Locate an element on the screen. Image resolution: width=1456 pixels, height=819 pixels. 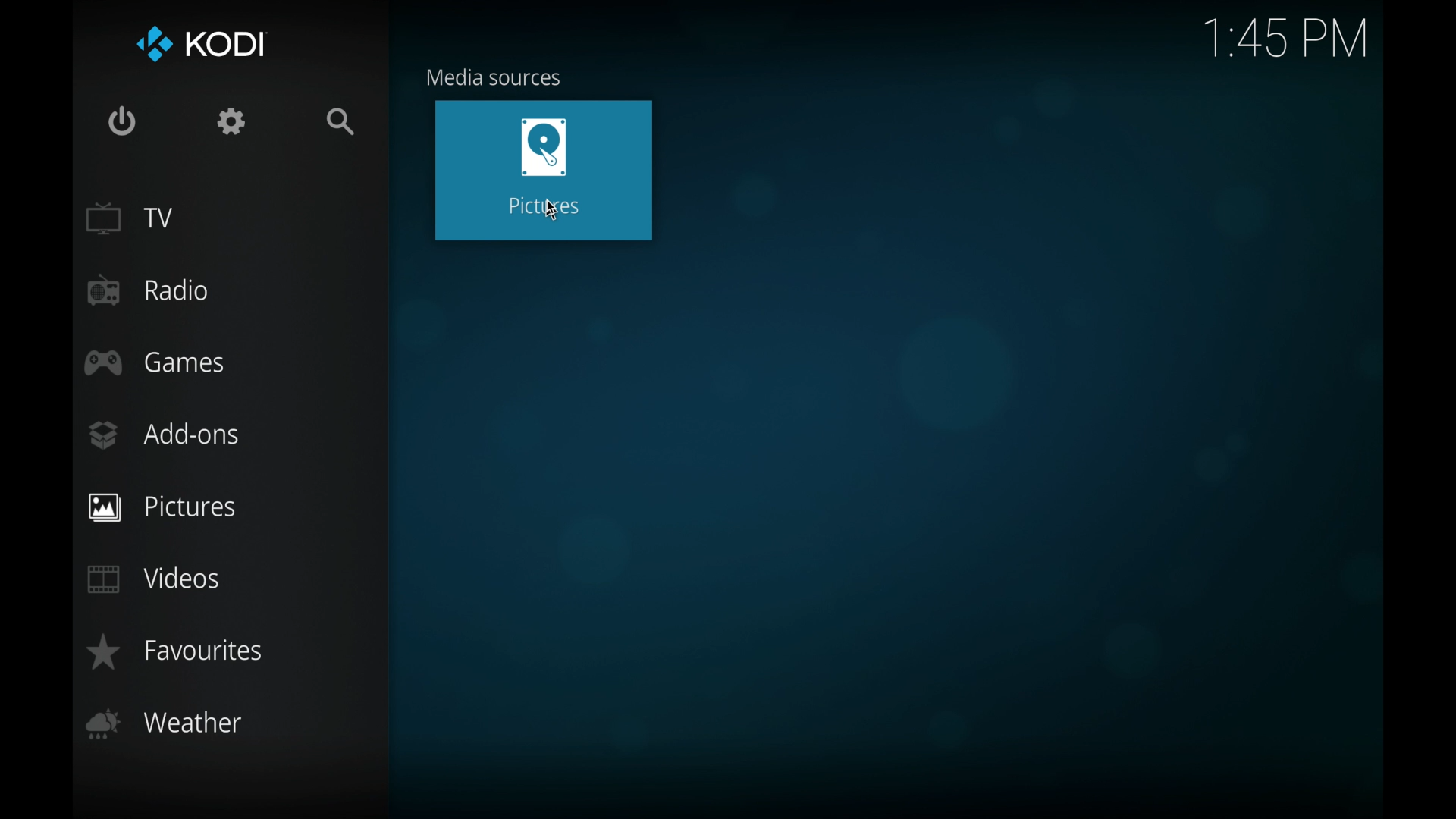
media sources is located at coordinates (496, 76).